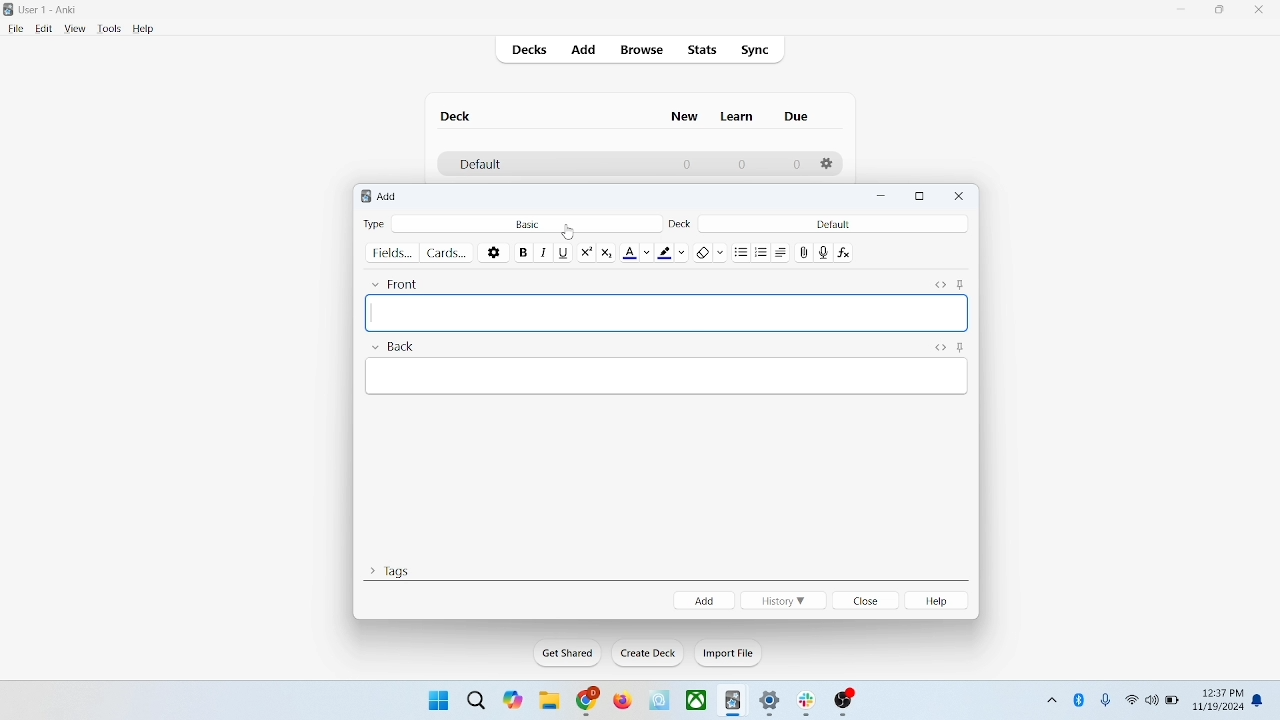  I want to click on default, so click(479, 165).